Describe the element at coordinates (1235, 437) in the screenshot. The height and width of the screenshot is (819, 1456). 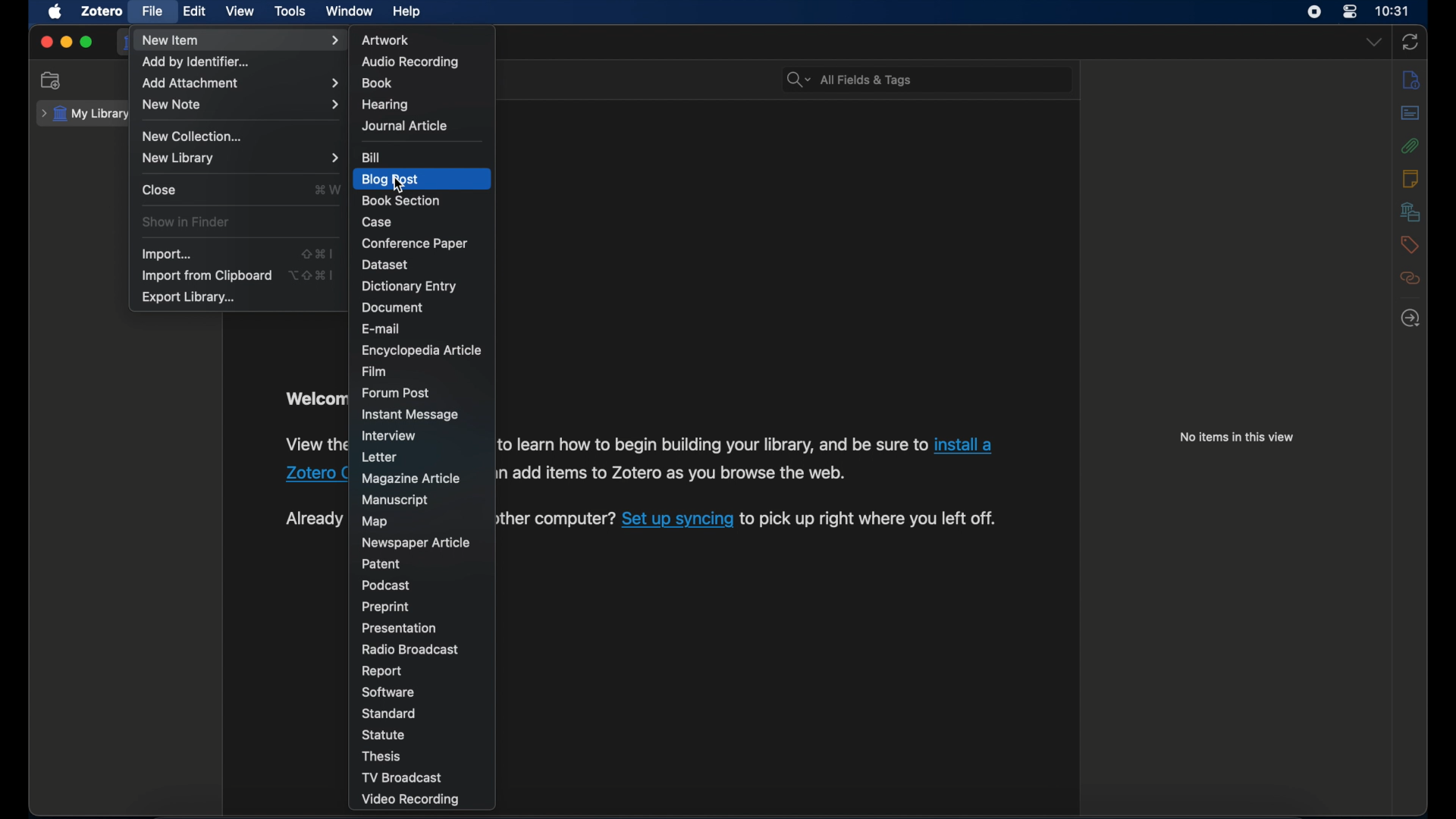
I see `no items this view` at that location.